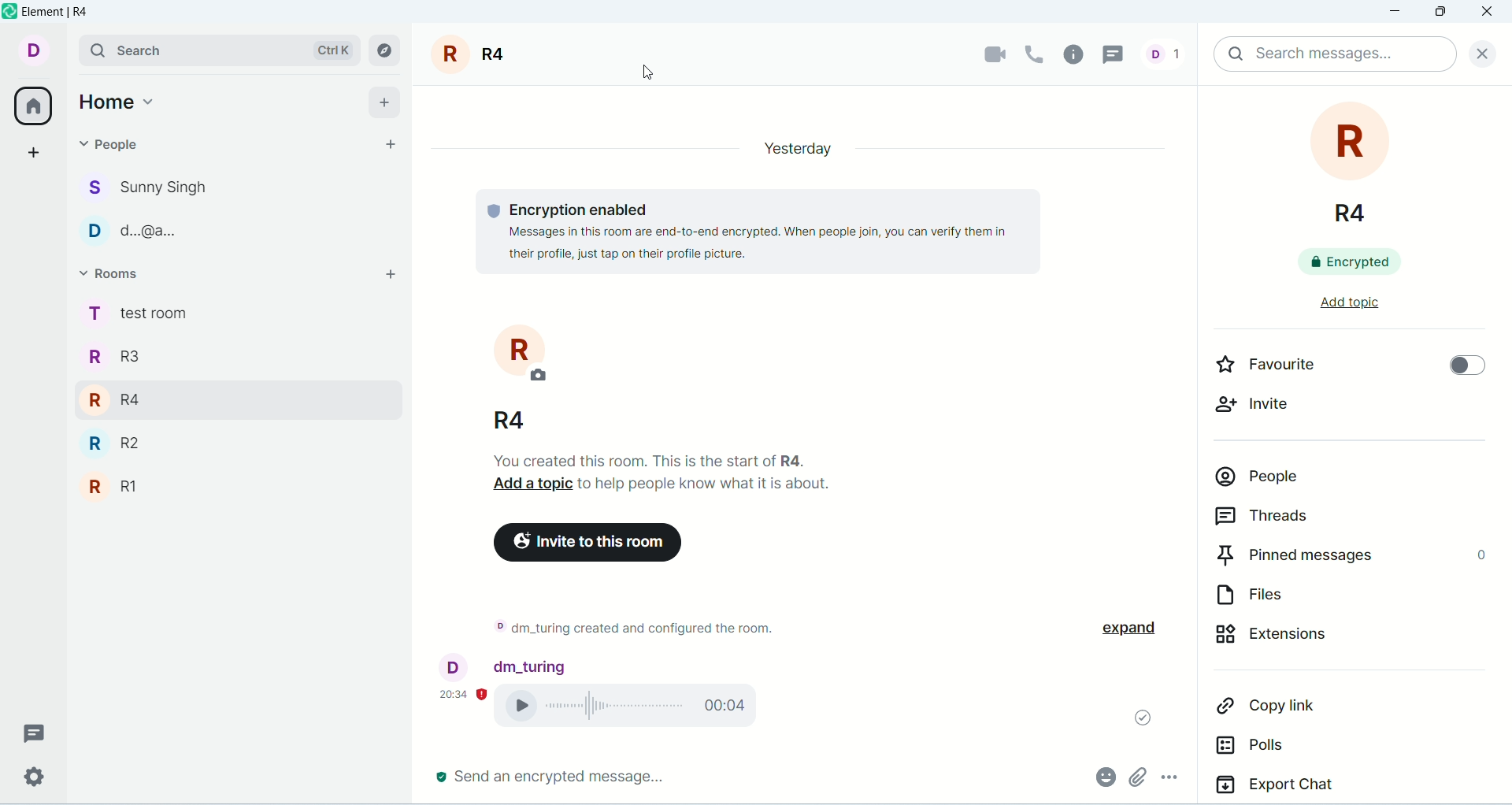 The width and height of the screenshot is (1512, 805). I want to click on invite to room, so click(589, 543).